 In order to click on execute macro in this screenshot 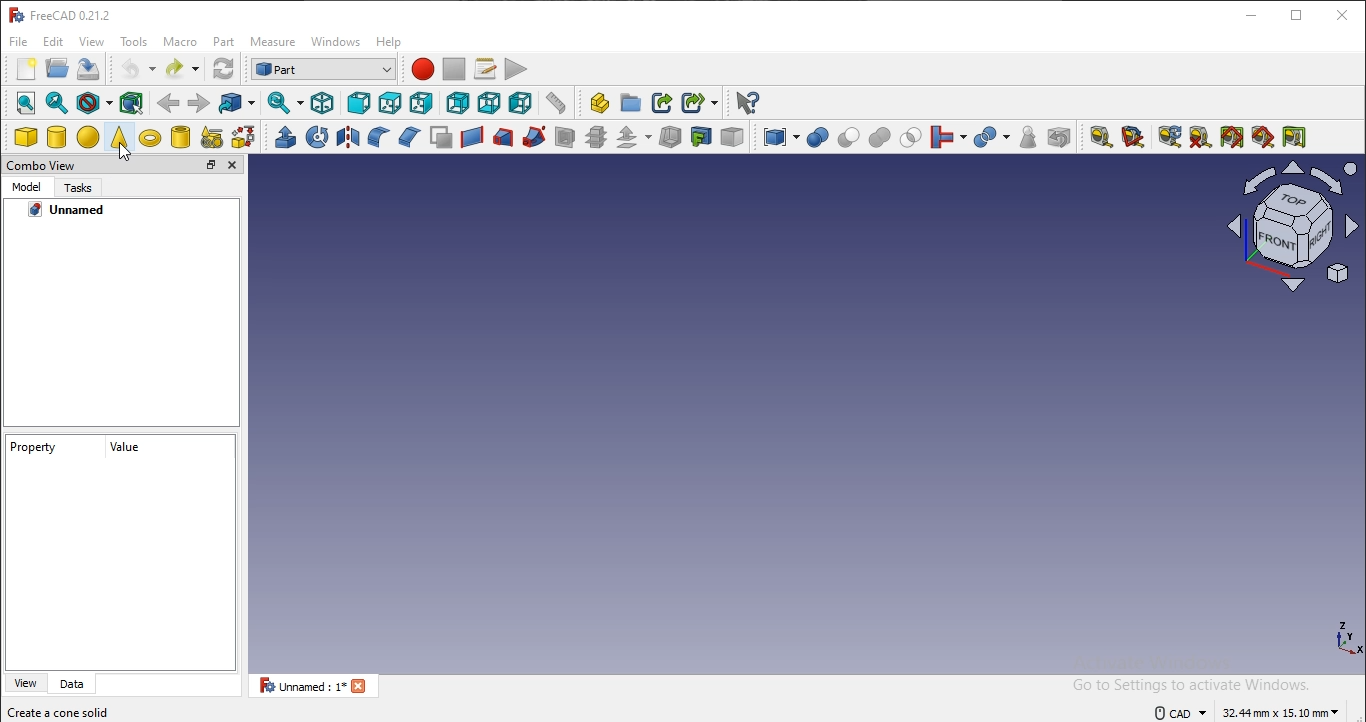, I will do `click(519, 69)`.